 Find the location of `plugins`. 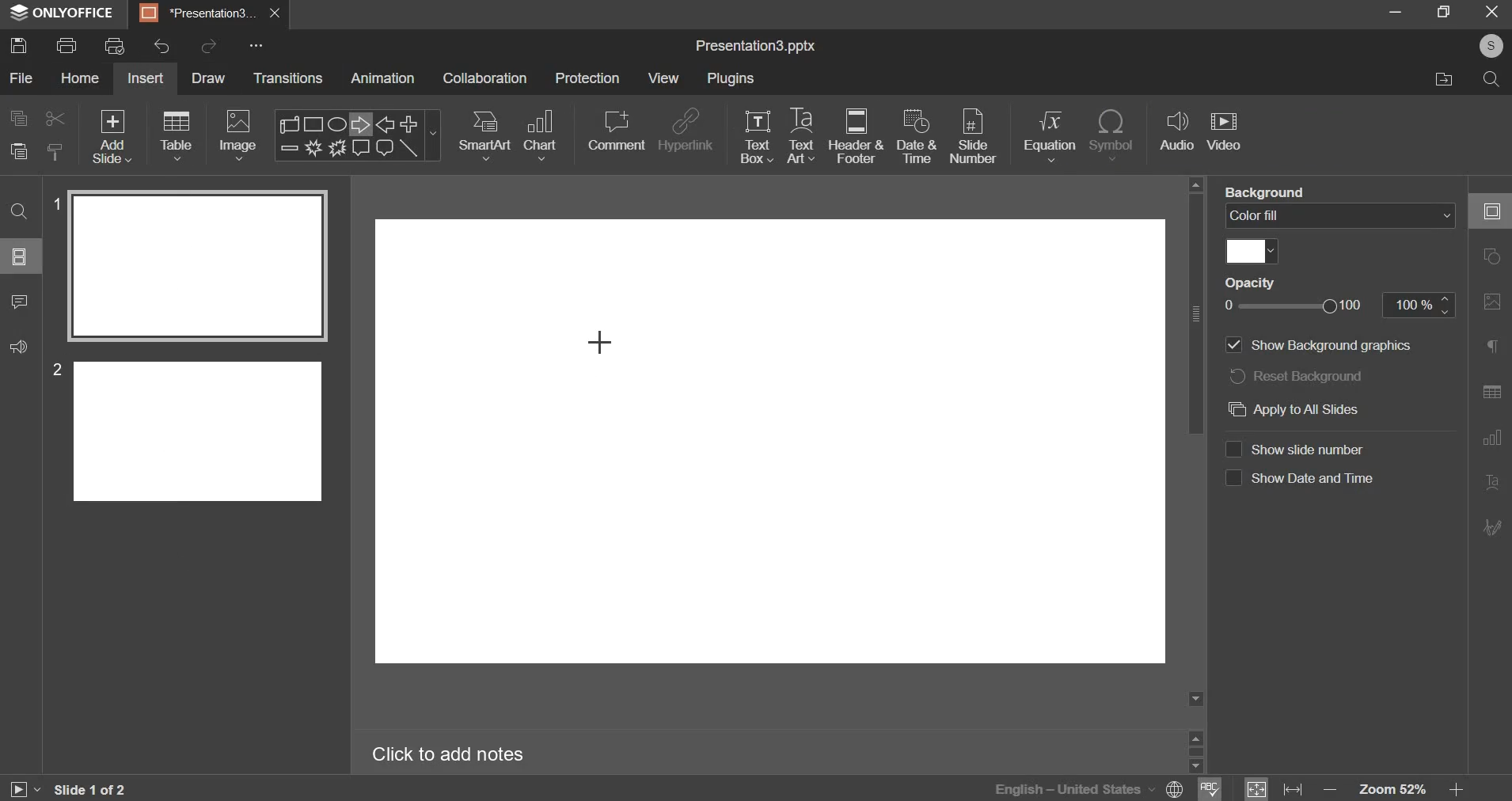

plugins is located at coordinates (731, 78).